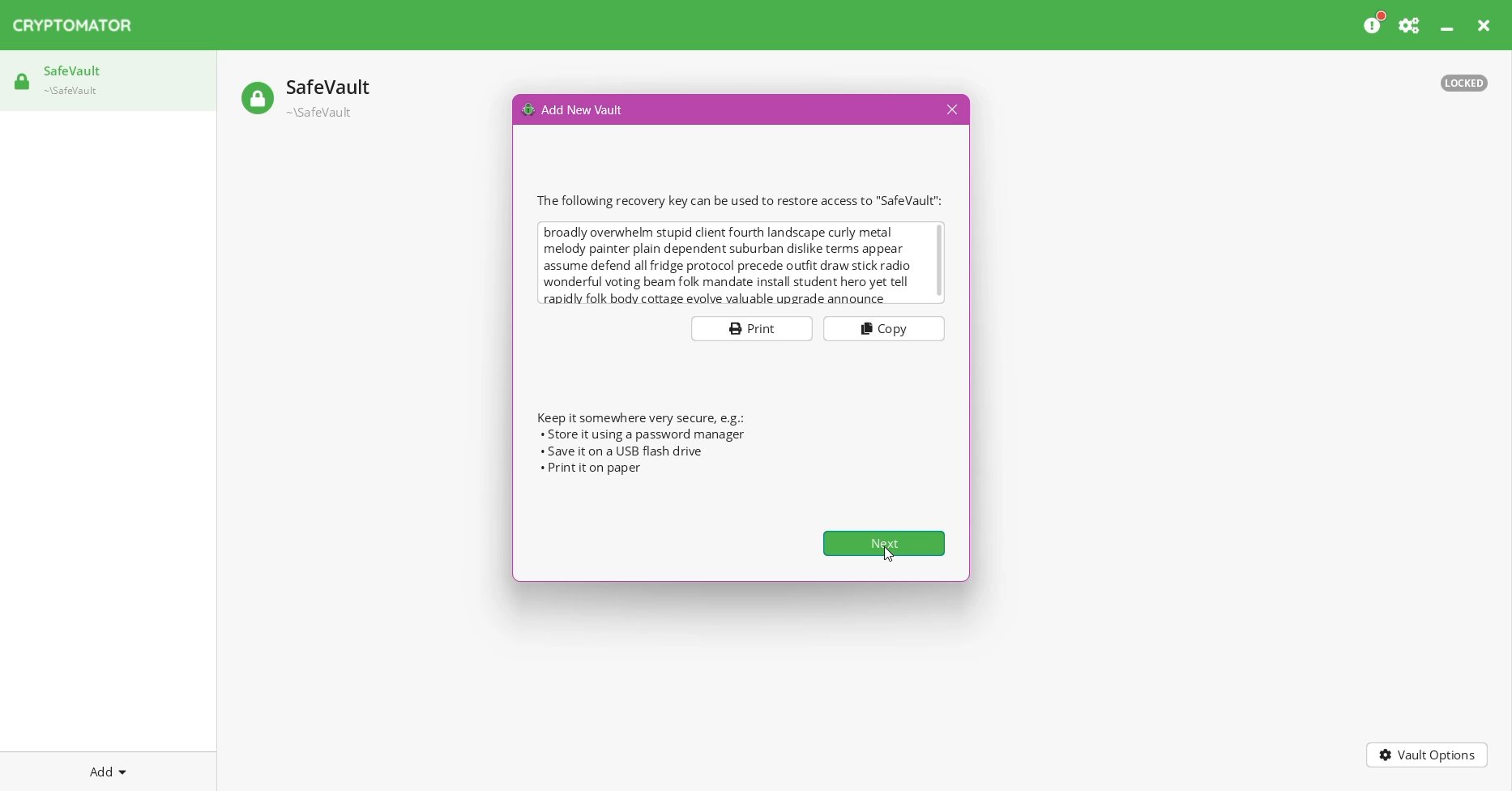 This screenshot has width=1512, height=791. What do you see at coordinates (884, 543) in the screenshot?
I see `Next` at bounding box center [884, 543].